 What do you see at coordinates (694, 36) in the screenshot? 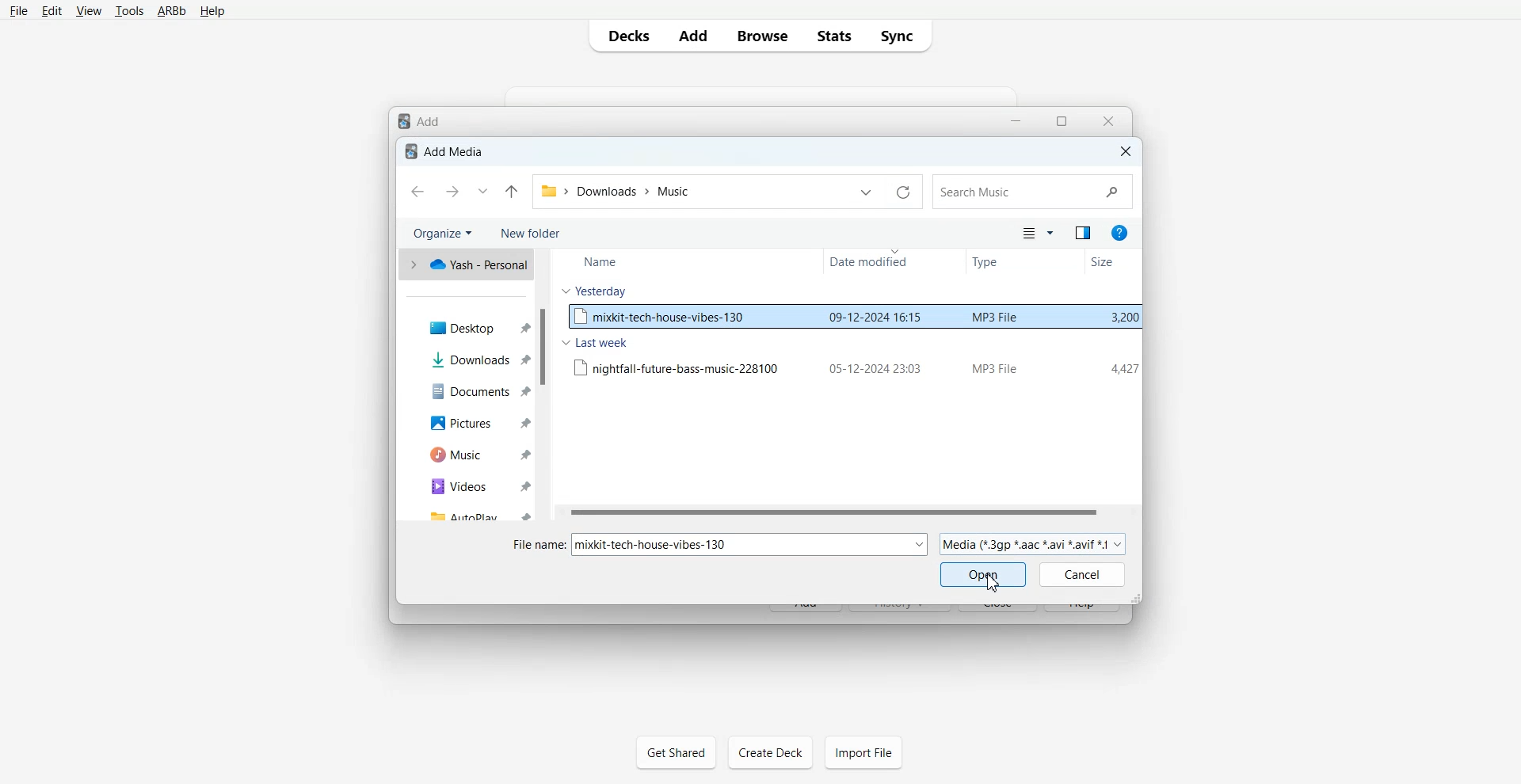
I see `Add` at bounding box center [694, 36].